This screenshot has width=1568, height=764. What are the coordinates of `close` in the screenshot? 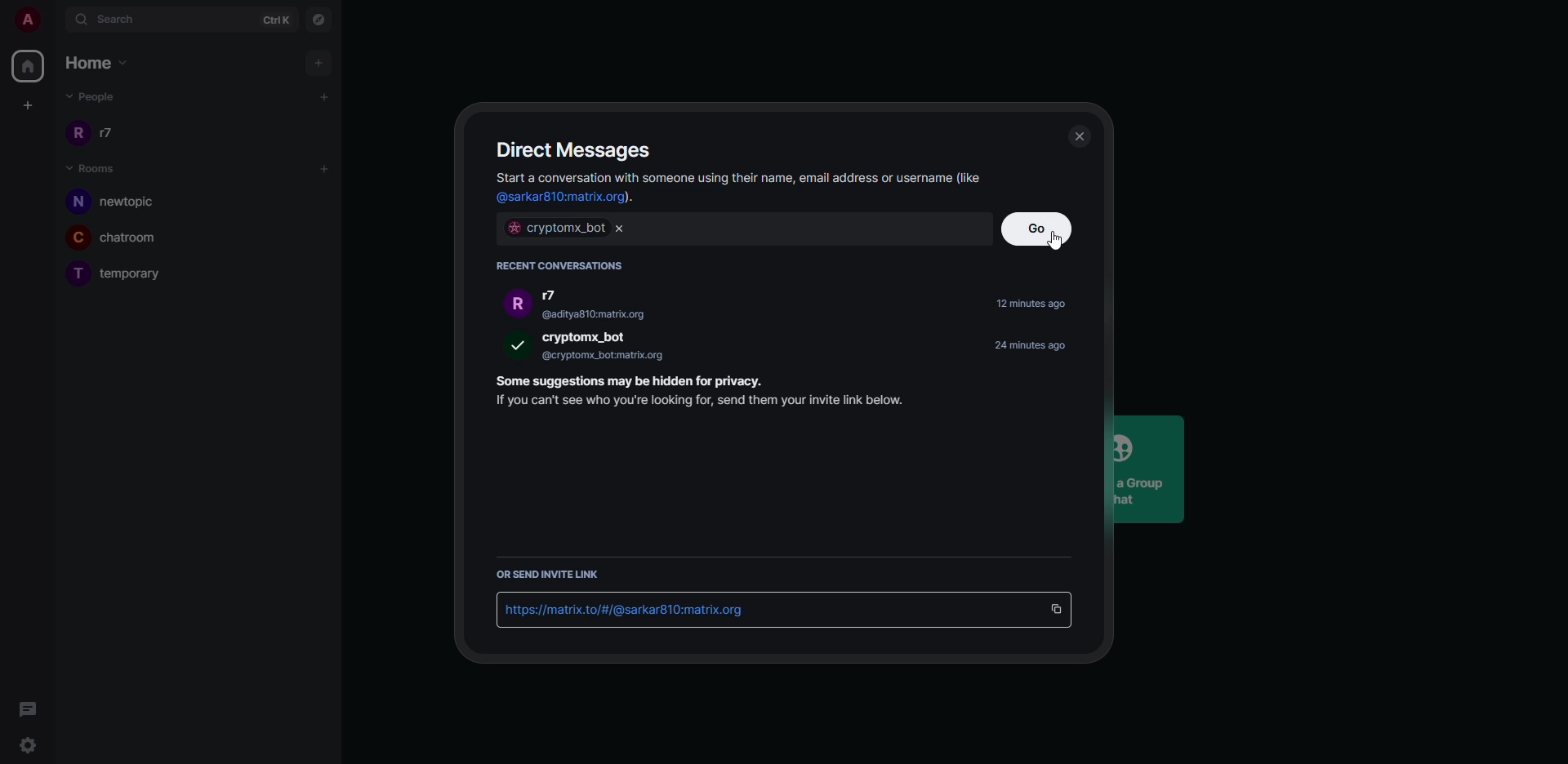 It's located at (620, 228).